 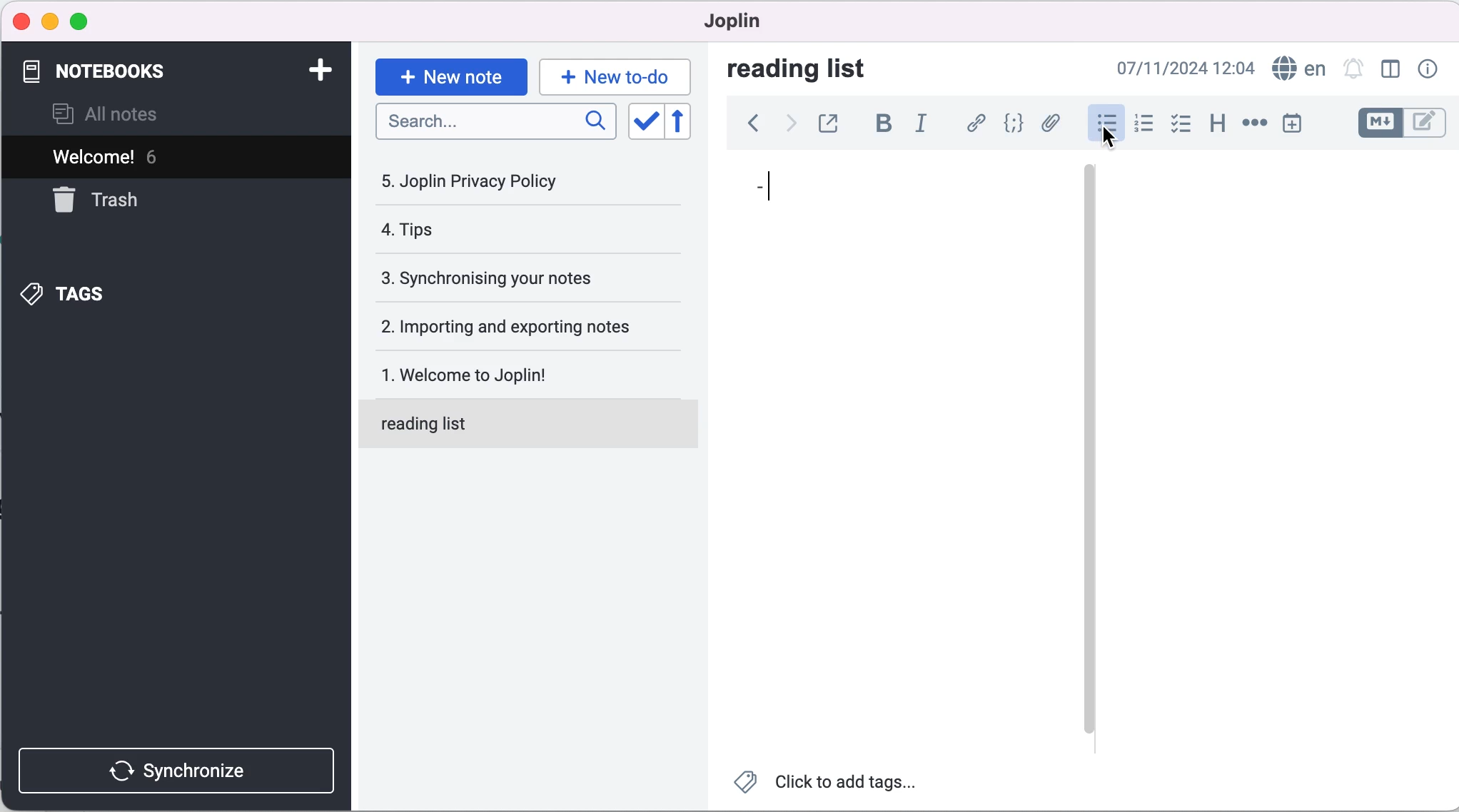 I want to click on revert sort order, so click(x=685, y=123).